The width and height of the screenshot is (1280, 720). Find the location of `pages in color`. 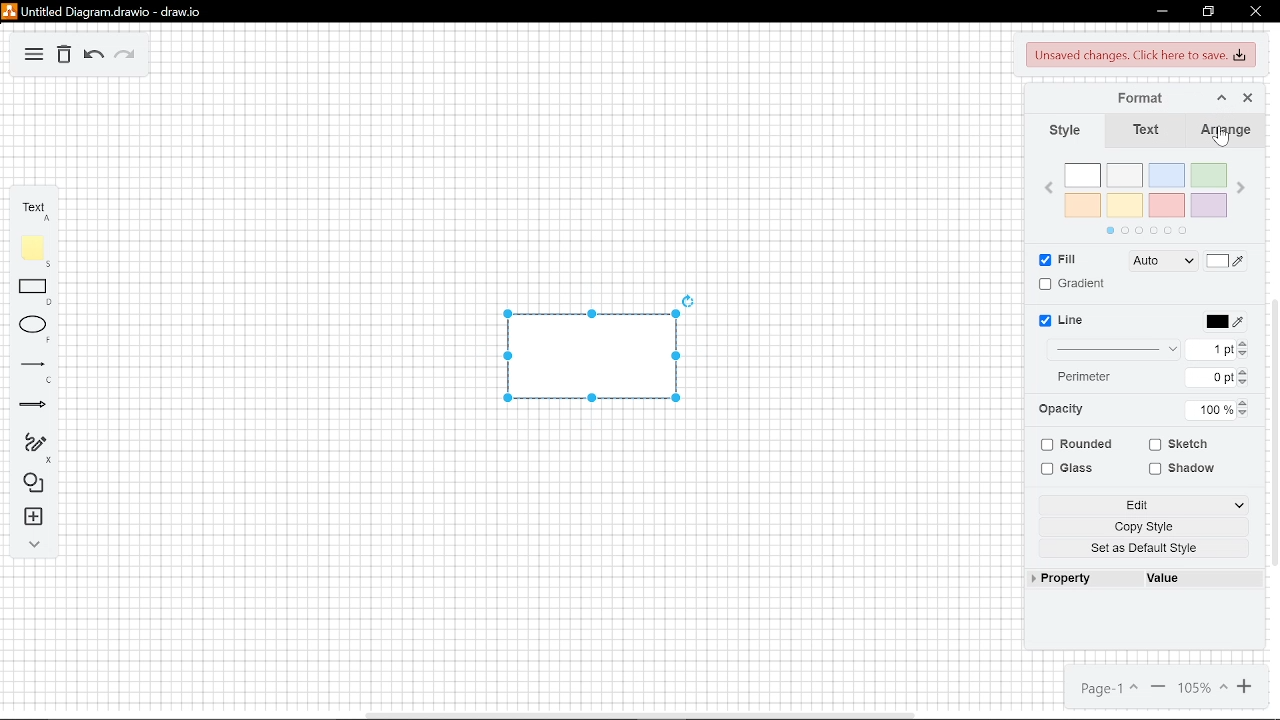

pages in color is located at coordinates (1150, 231).